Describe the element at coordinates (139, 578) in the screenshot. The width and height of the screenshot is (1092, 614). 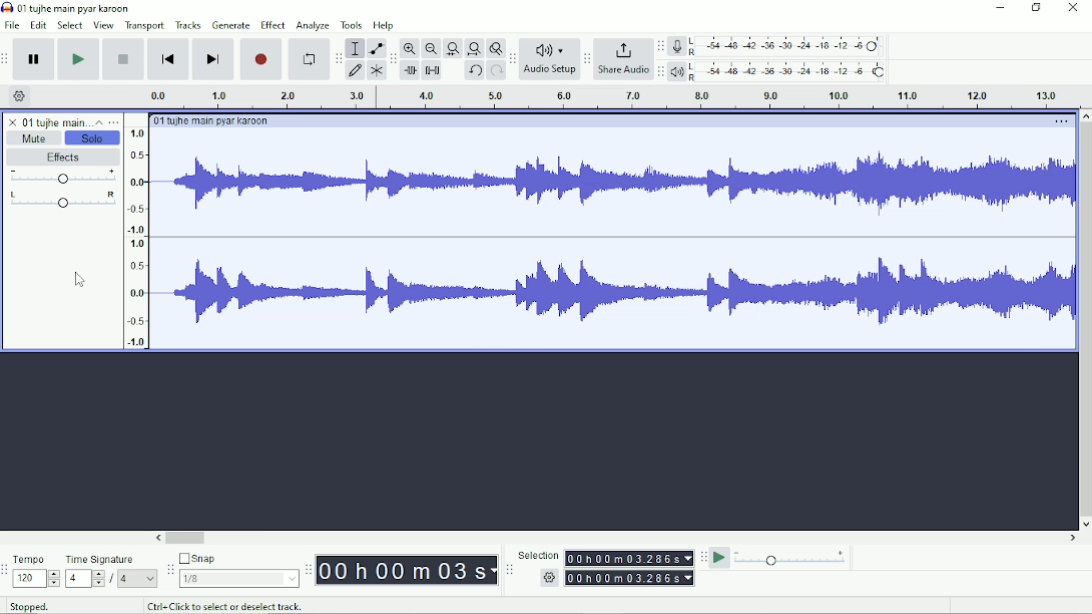
I see `` at that location.